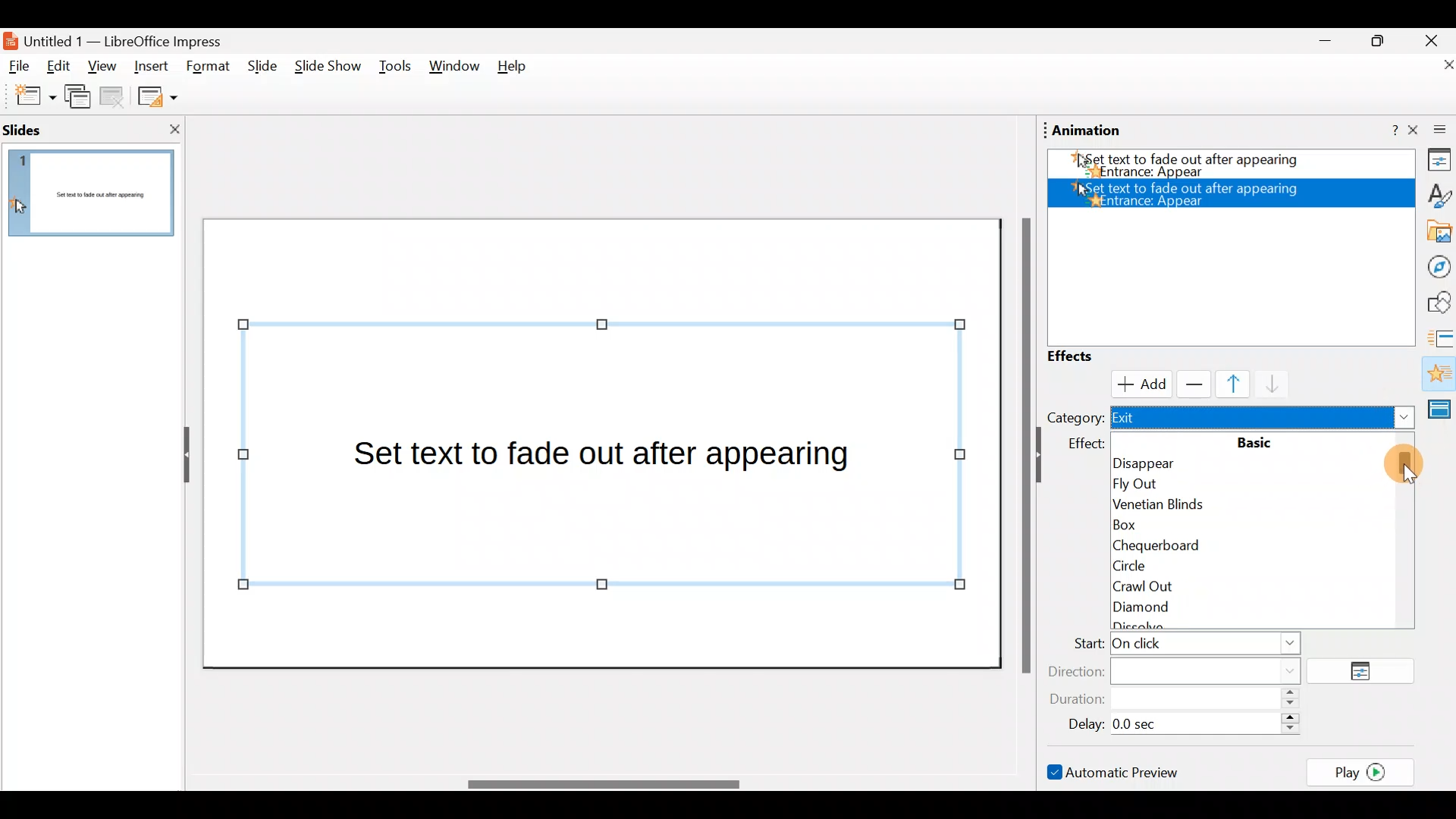 The height and width of the screenshot is (819, 1456). Describe the element at coordinates (1191, 384) in the screenshot. I see `Remove effect` at that location.